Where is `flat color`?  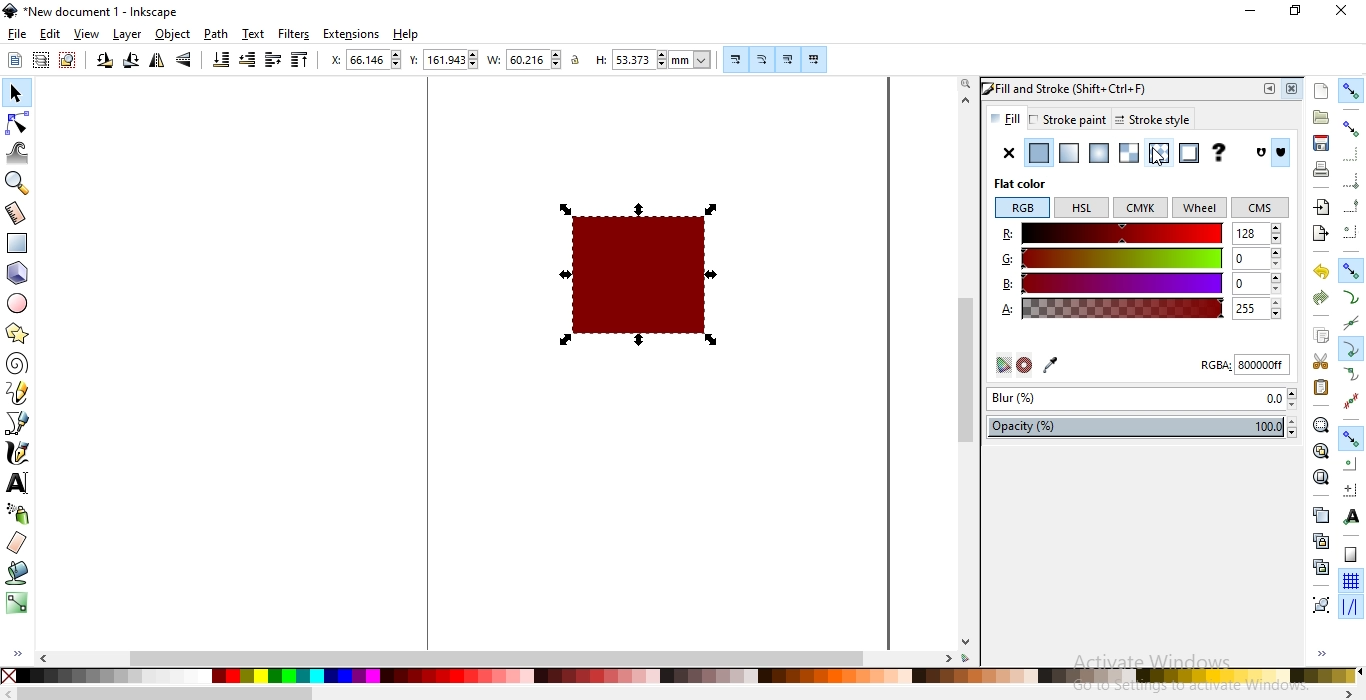
flat color is located at coordinates (1037, 153).